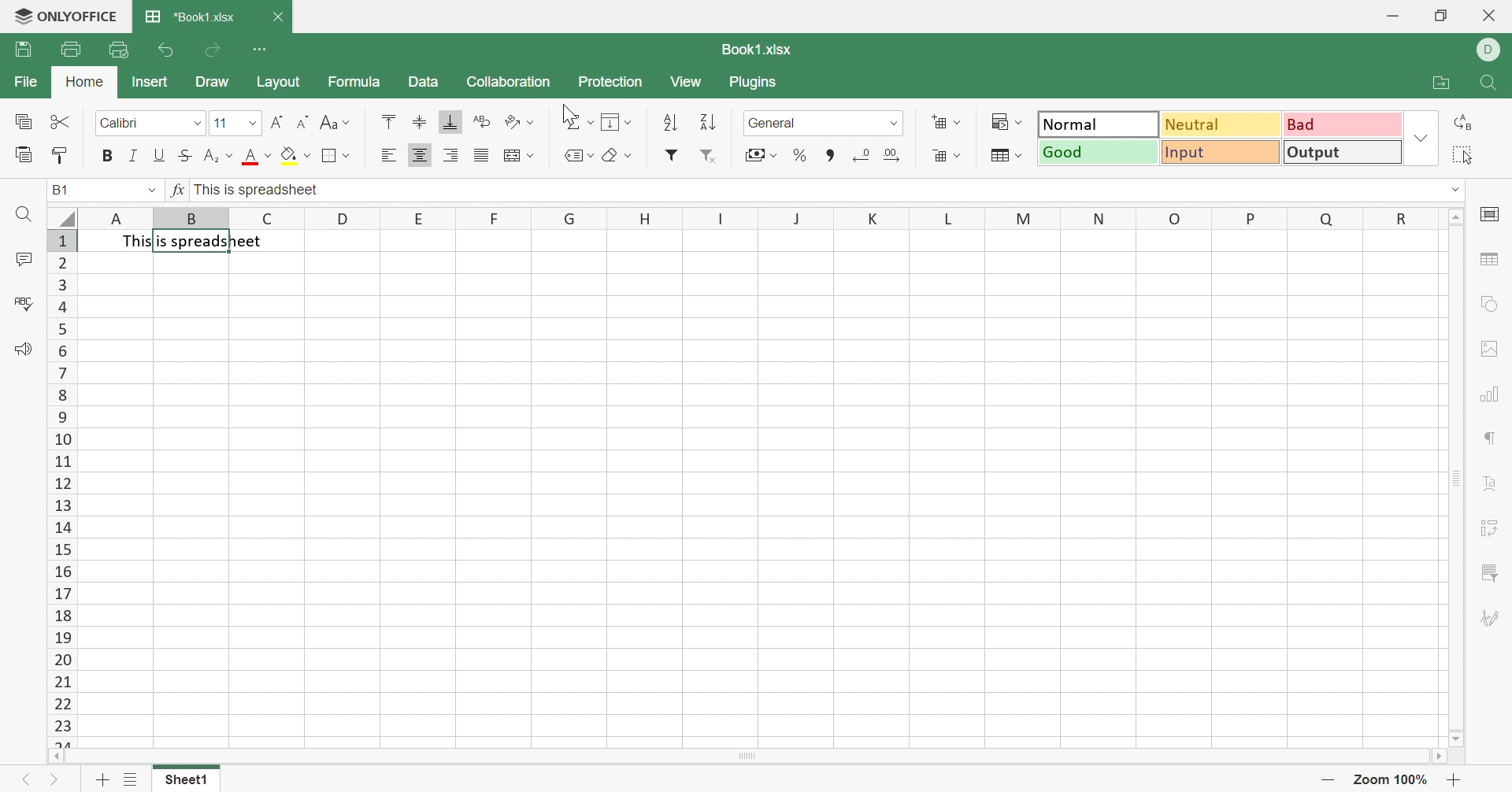 The width and height of the screenshot is (1512, 792). I want to click on Align Bottom, so click(448, 120).